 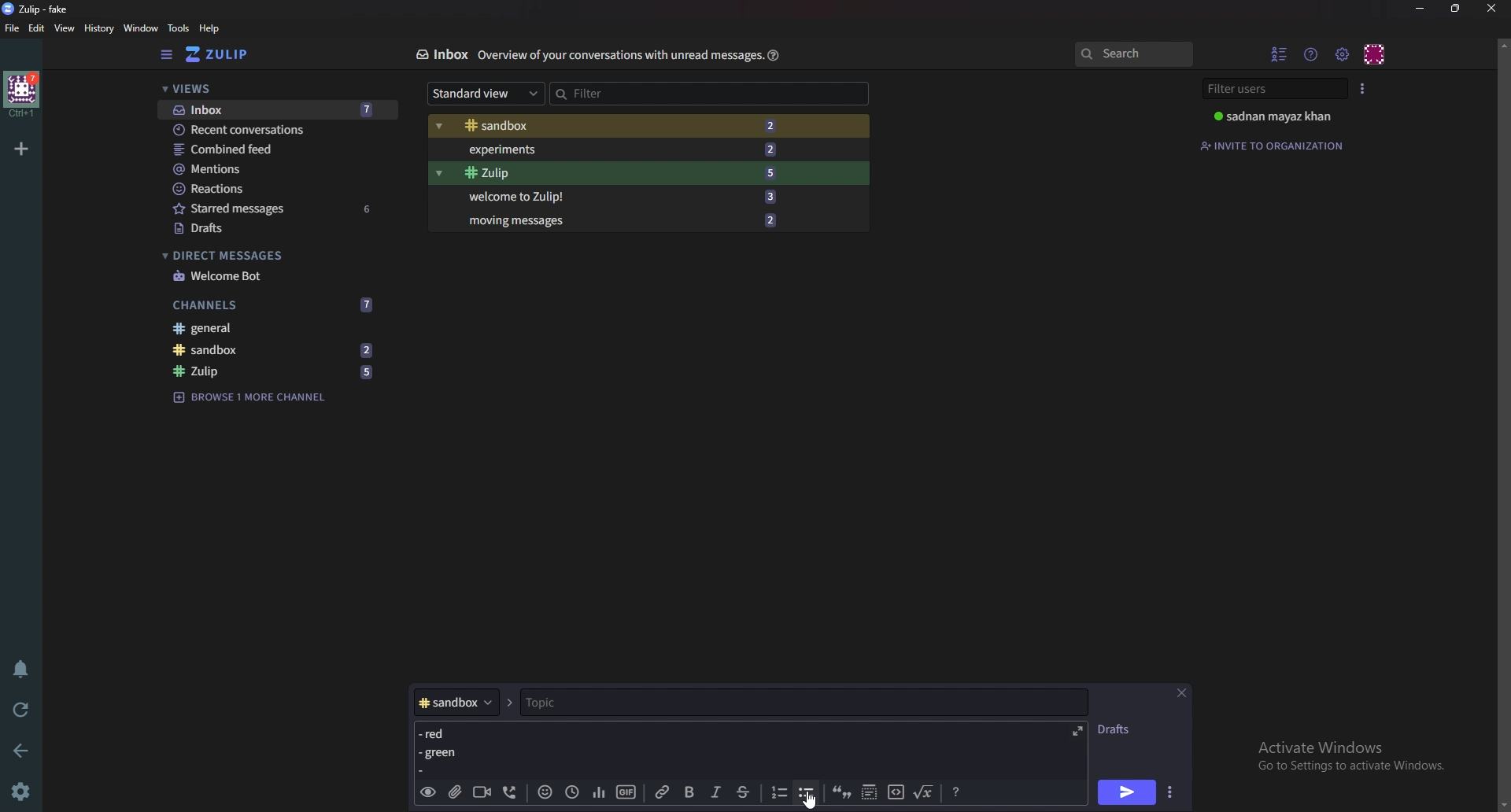 I want to click on Welcome to zulip, so click(x=618, y=195).